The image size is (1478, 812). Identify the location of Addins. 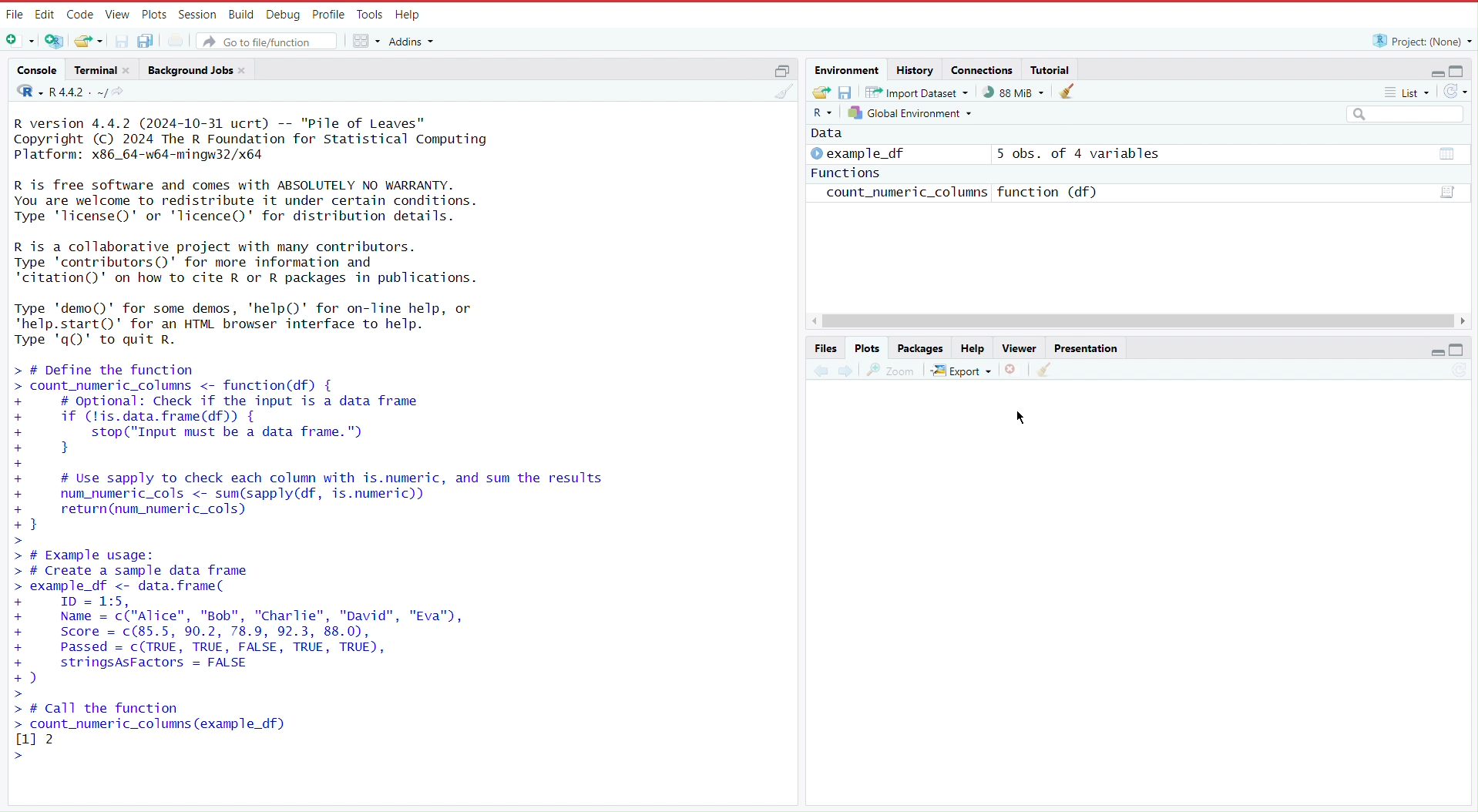
(415, 42).